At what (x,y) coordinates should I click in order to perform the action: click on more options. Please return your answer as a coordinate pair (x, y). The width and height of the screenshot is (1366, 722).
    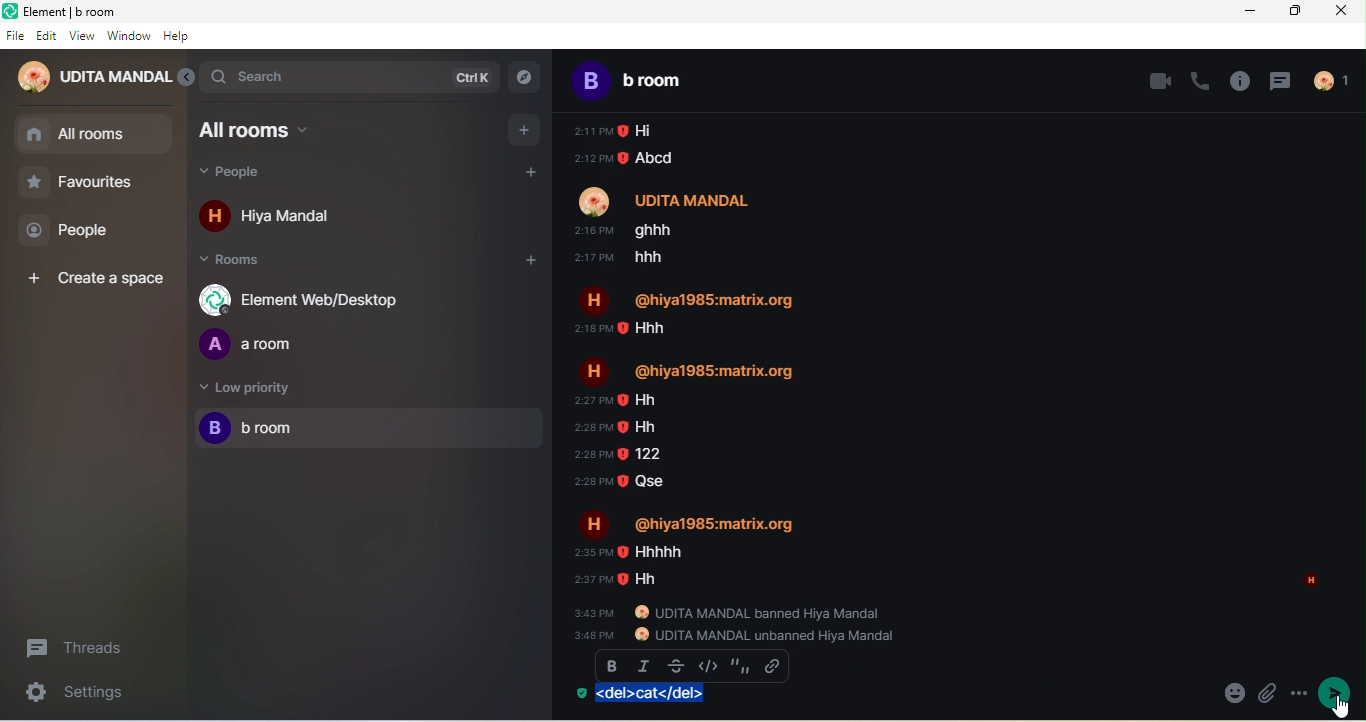
    Looking at the image, I should click on (1299, 692).